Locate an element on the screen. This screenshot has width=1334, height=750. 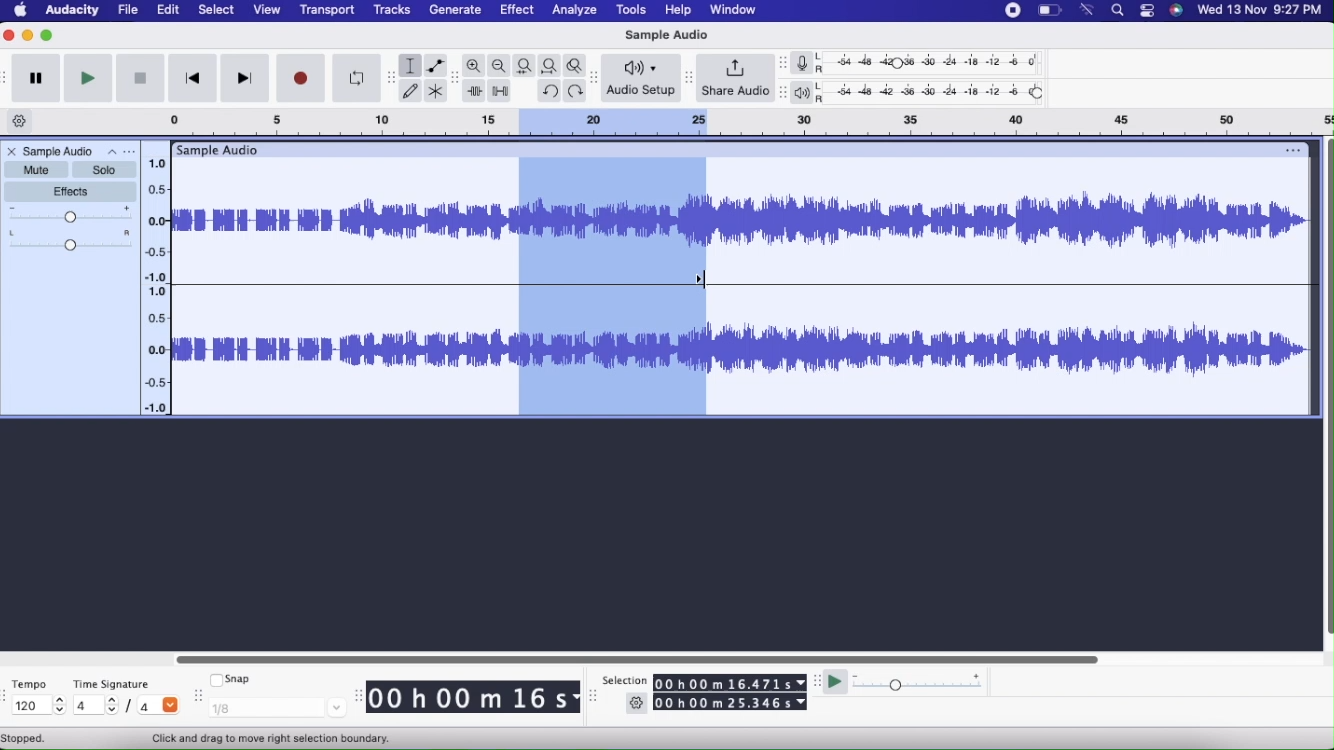
move toolbar is located at coordinates (356, 697).